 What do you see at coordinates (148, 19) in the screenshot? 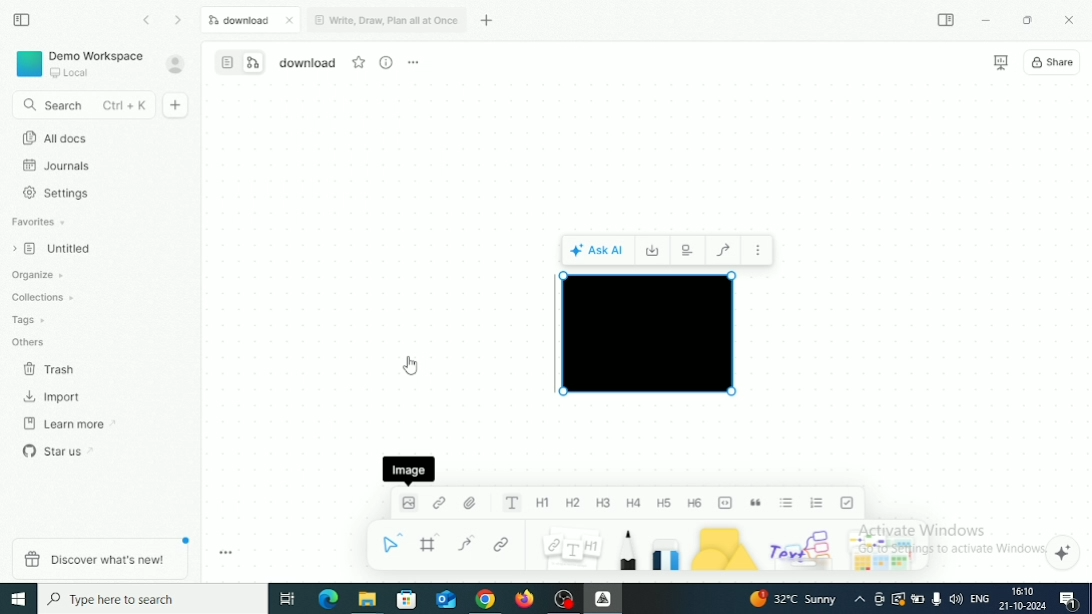
I see `Go back` at bounding box center [148, 19].